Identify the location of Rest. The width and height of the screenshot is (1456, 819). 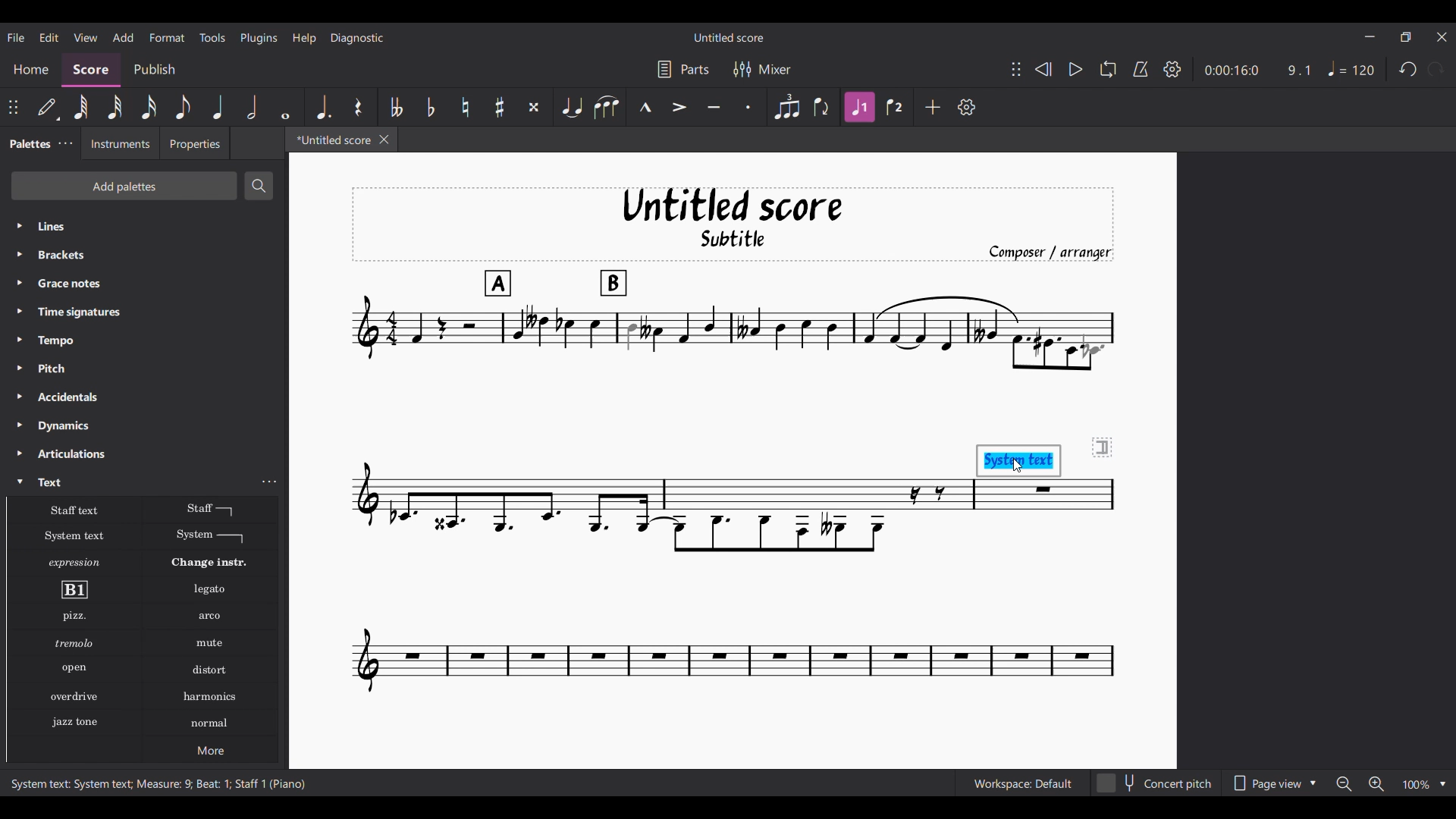
(359, 107).